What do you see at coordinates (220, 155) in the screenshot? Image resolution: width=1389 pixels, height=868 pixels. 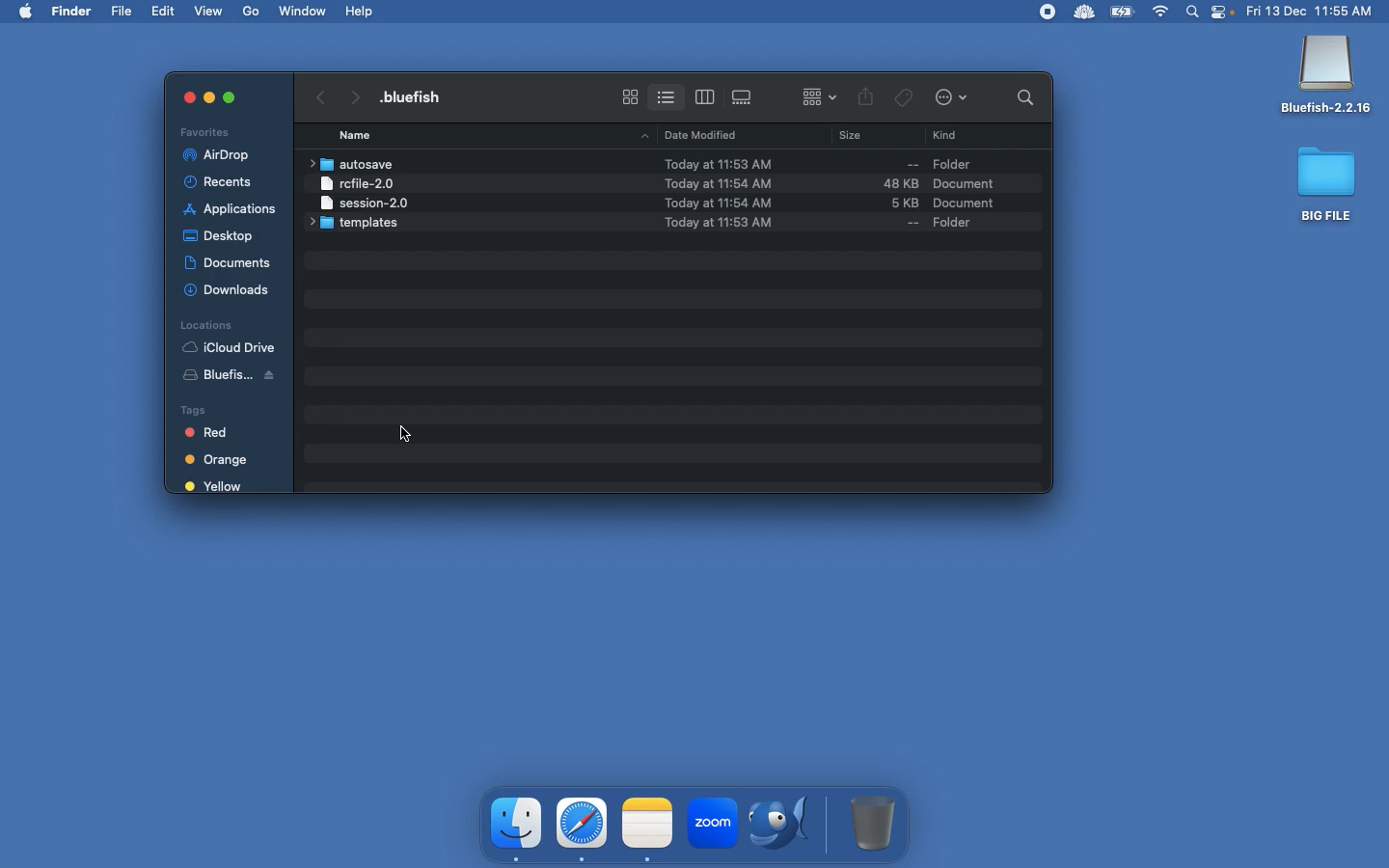 I see `airdrop` at bounding box center [220, 155].